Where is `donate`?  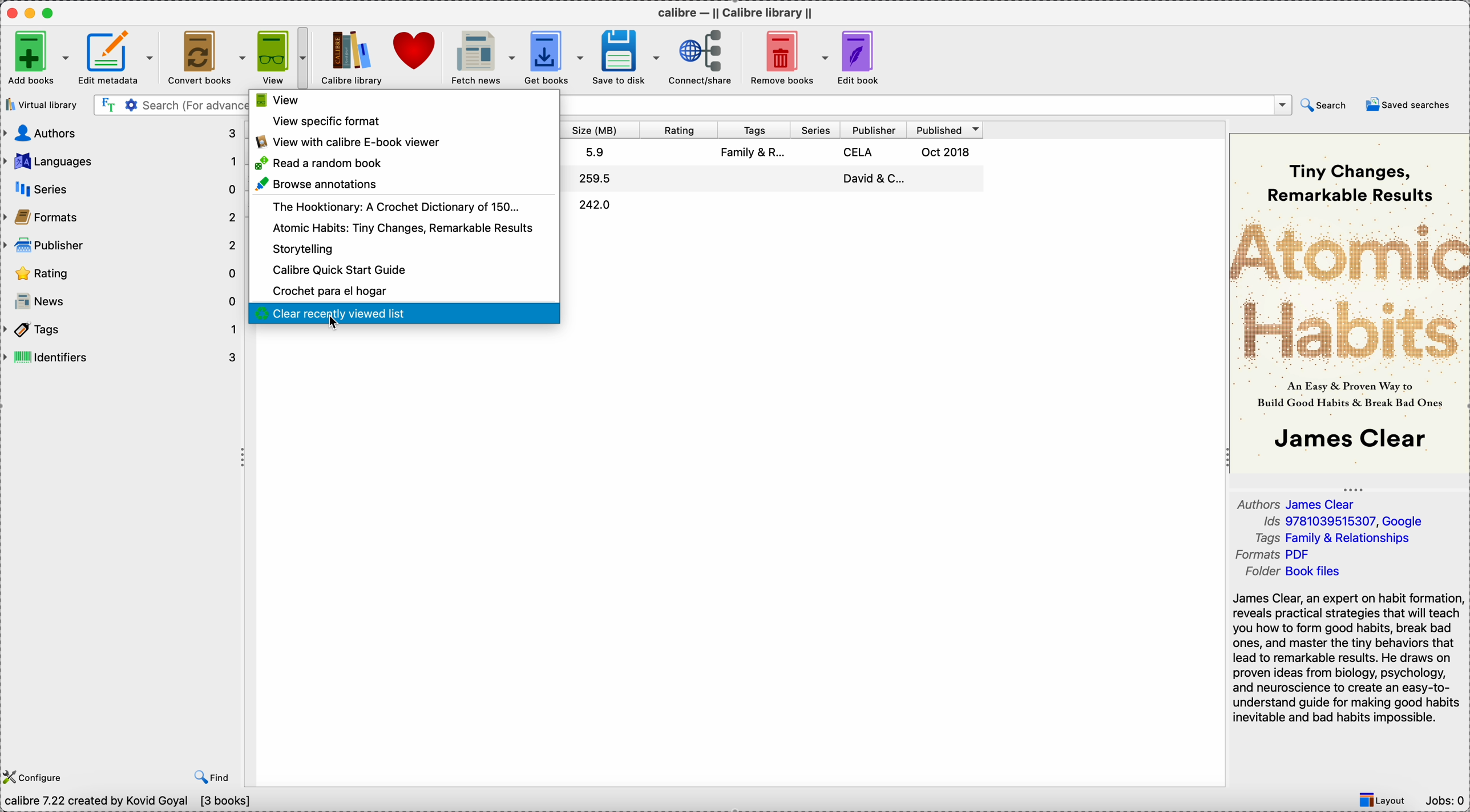
donate is located at coordinates (417, 53).